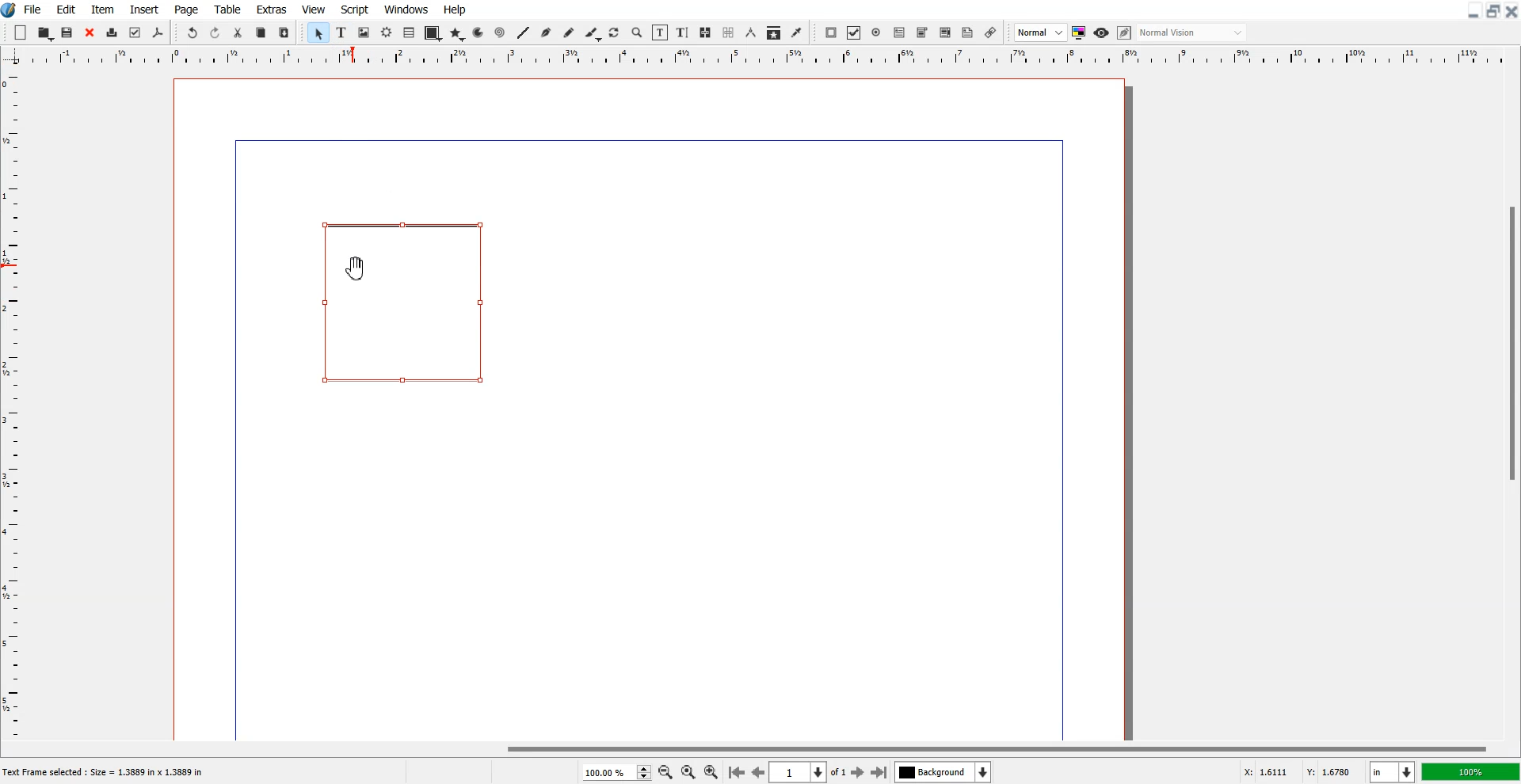  I want to click on Image Frame, so click(364, 32).